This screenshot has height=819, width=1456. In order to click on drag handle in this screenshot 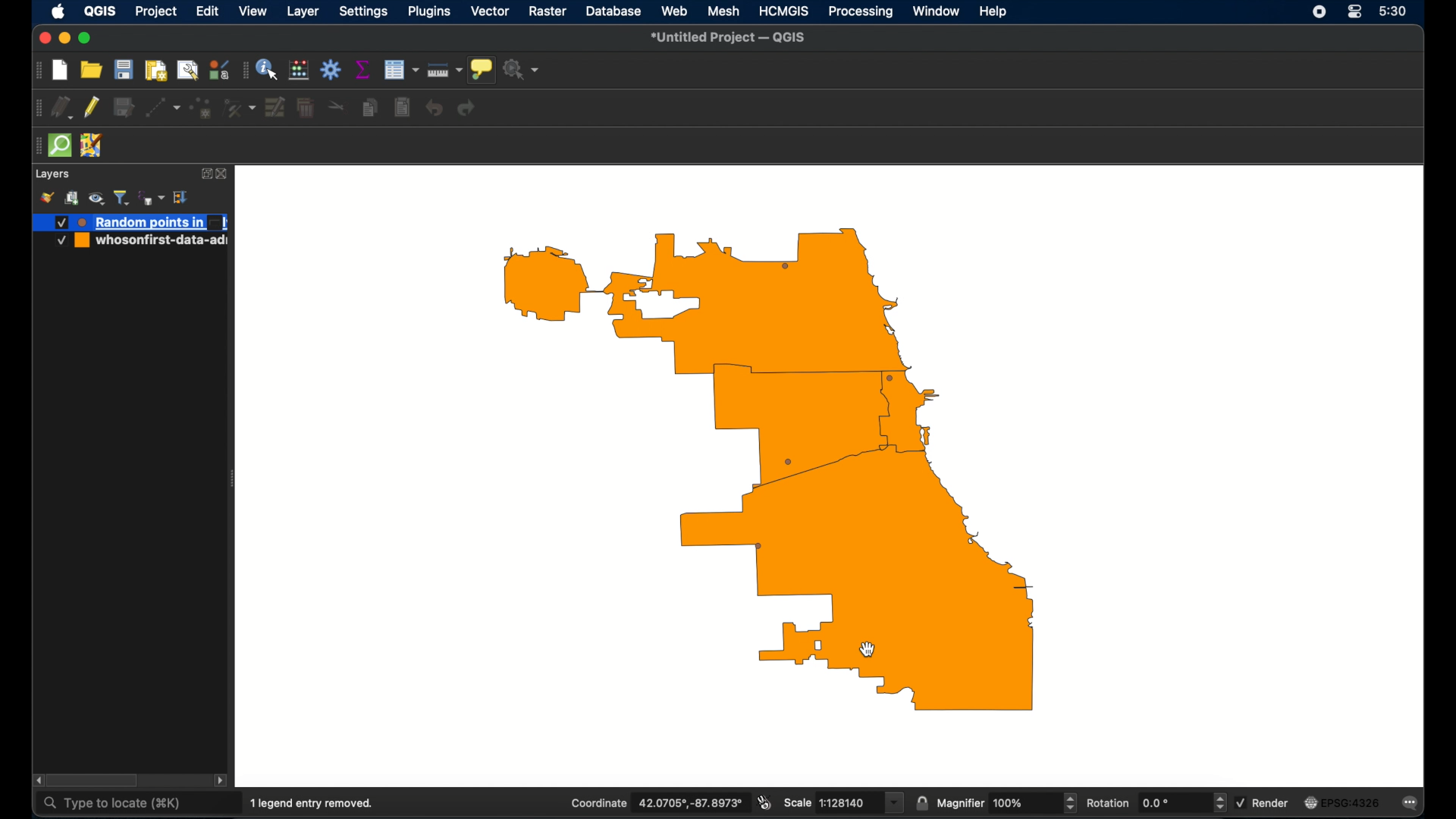, I will do `click(34, 108)`.